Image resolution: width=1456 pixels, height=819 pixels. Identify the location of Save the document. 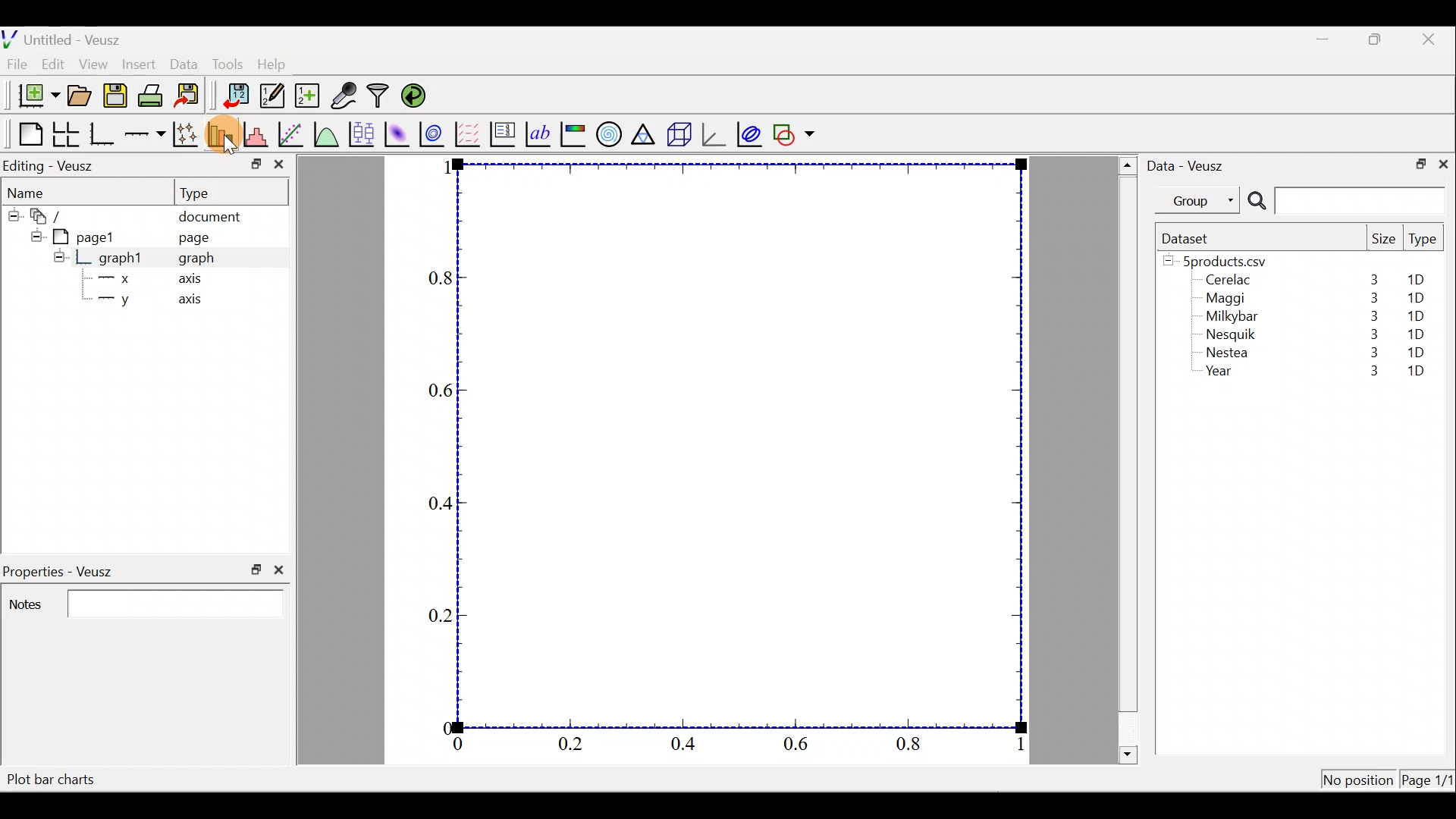
(117, 99).